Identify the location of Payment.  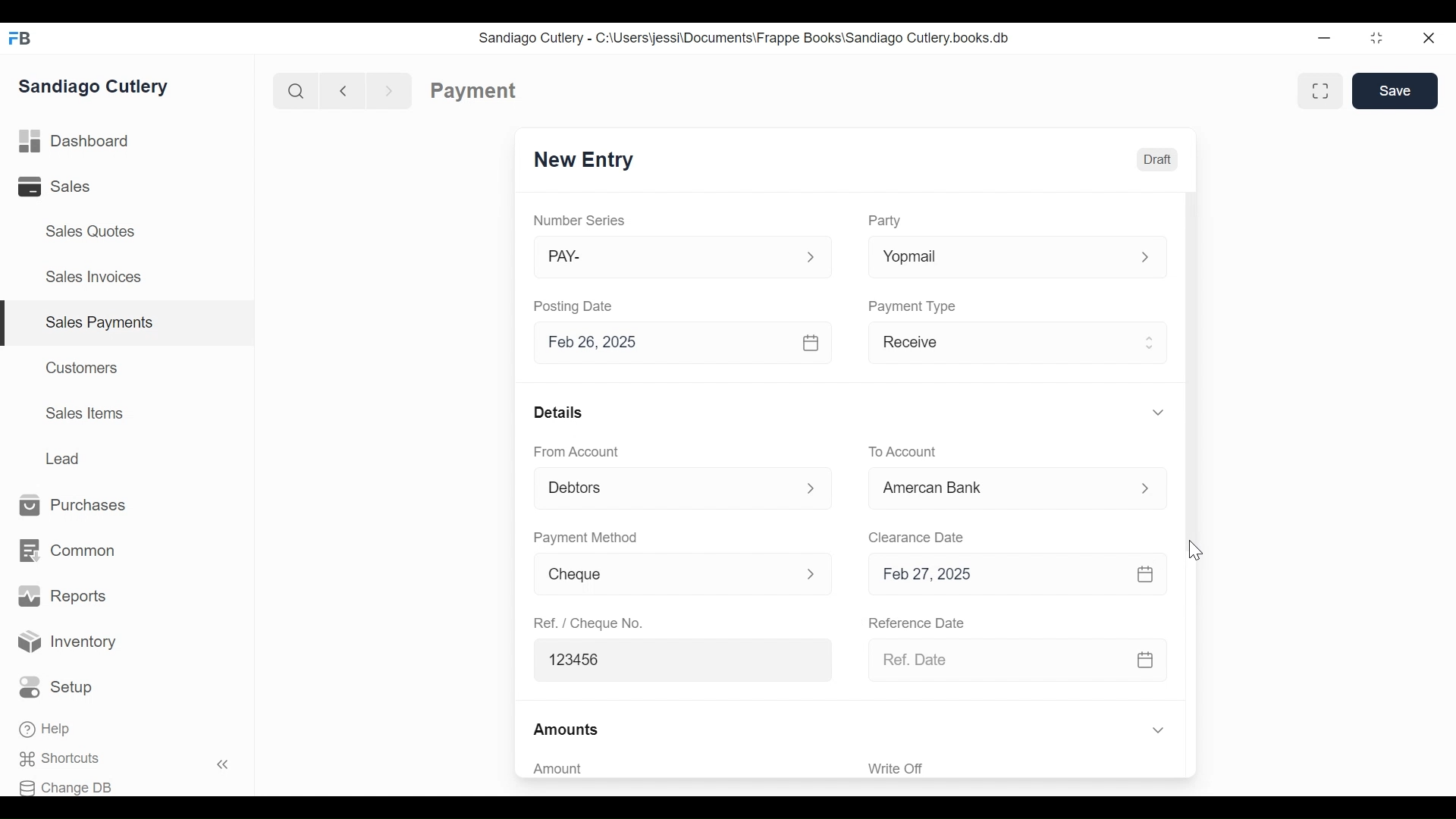
(474, 91).